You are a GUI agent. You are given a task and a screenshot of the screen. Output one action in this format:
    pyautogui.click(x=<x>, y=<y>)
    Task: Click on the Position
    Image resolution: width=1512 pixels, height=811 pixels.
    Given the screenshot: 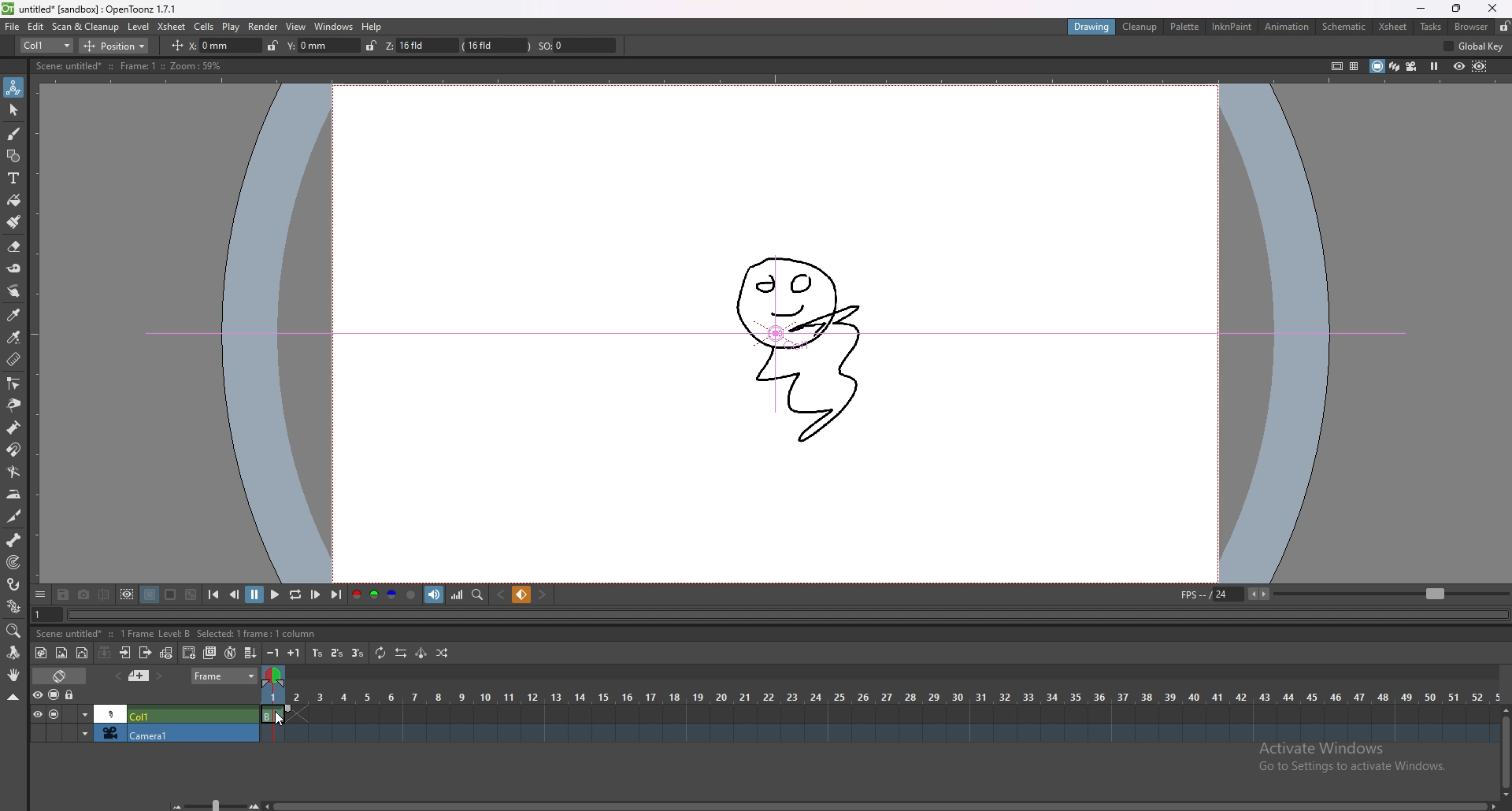 What is the action you would take?
    pyautogui.click(x=120, y=44)
    